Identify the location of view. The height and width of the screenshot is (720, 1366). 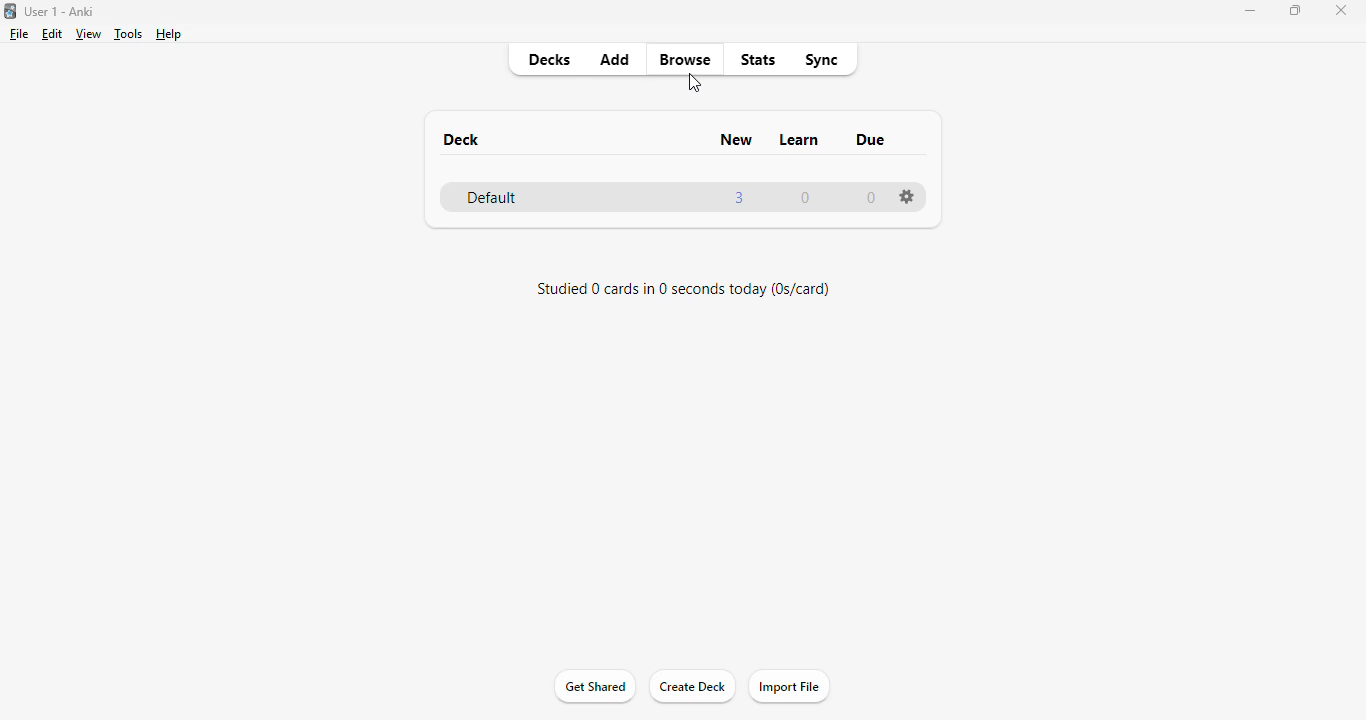
(90, 34).